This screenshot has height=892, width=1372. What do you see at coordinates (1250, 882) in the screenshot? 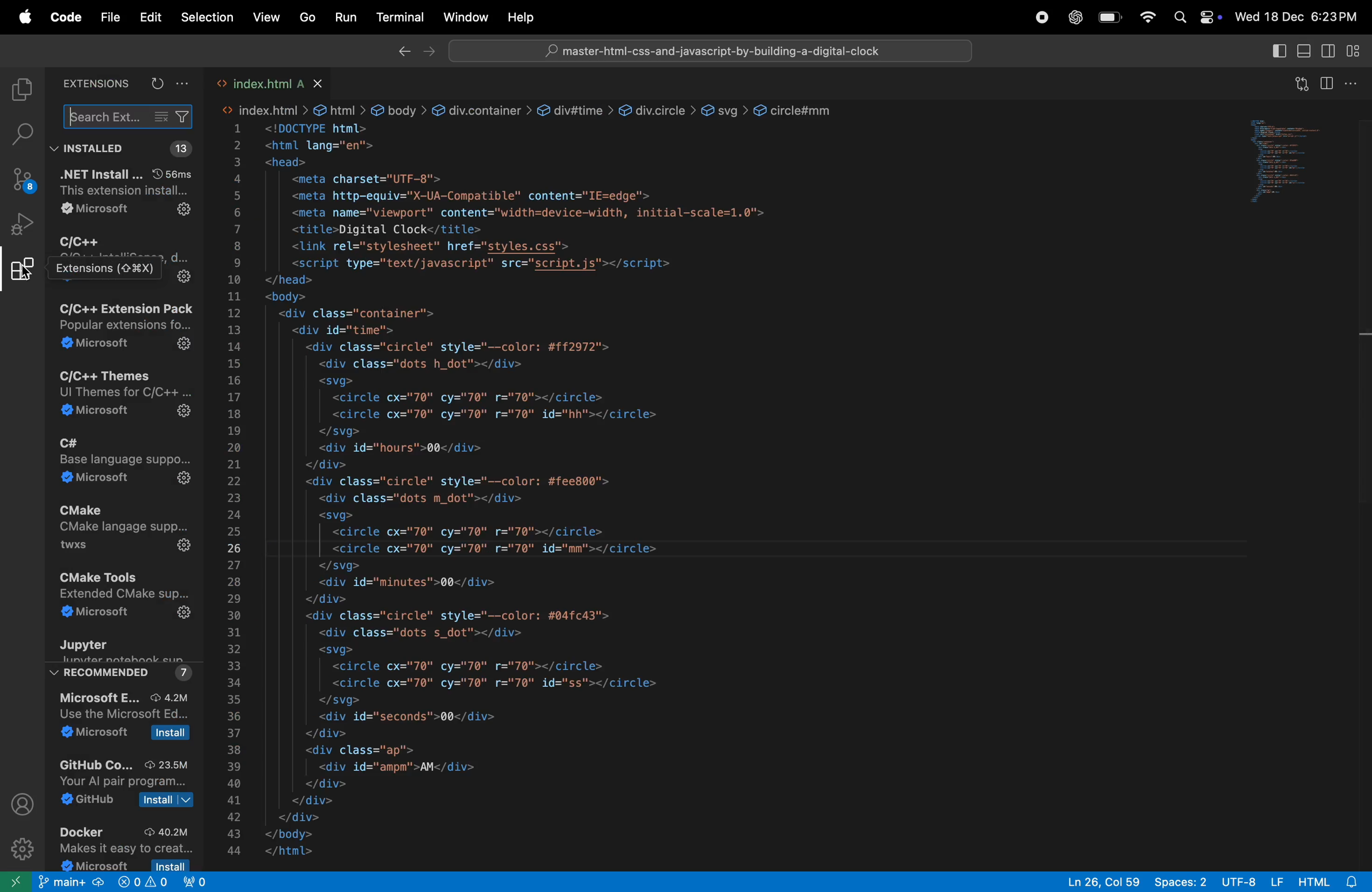
I see `utf 8` at bounding box center [1250, 882].